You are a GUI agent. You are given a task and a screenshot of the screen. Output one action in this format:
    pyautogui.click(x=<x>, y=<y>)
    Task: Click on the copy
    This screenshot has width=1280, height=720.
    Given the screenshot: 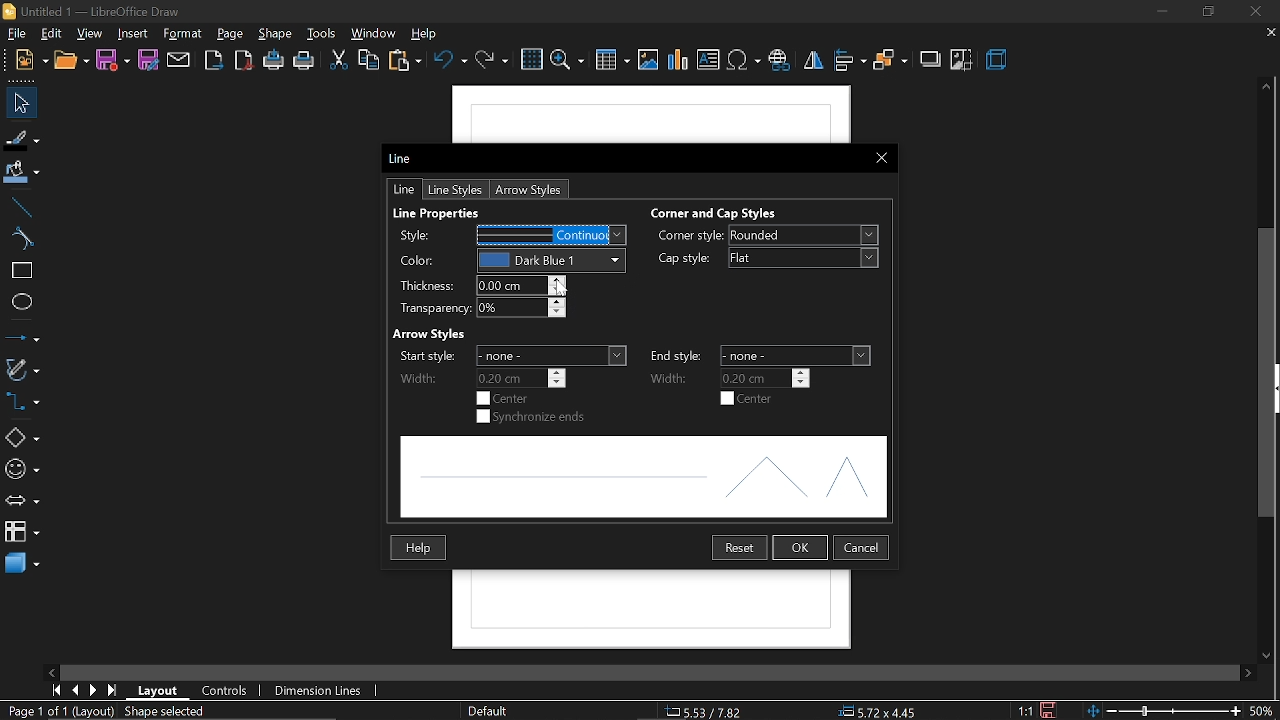 What is the action you would take?
    pyautogui.click(x=369, y=59)
    